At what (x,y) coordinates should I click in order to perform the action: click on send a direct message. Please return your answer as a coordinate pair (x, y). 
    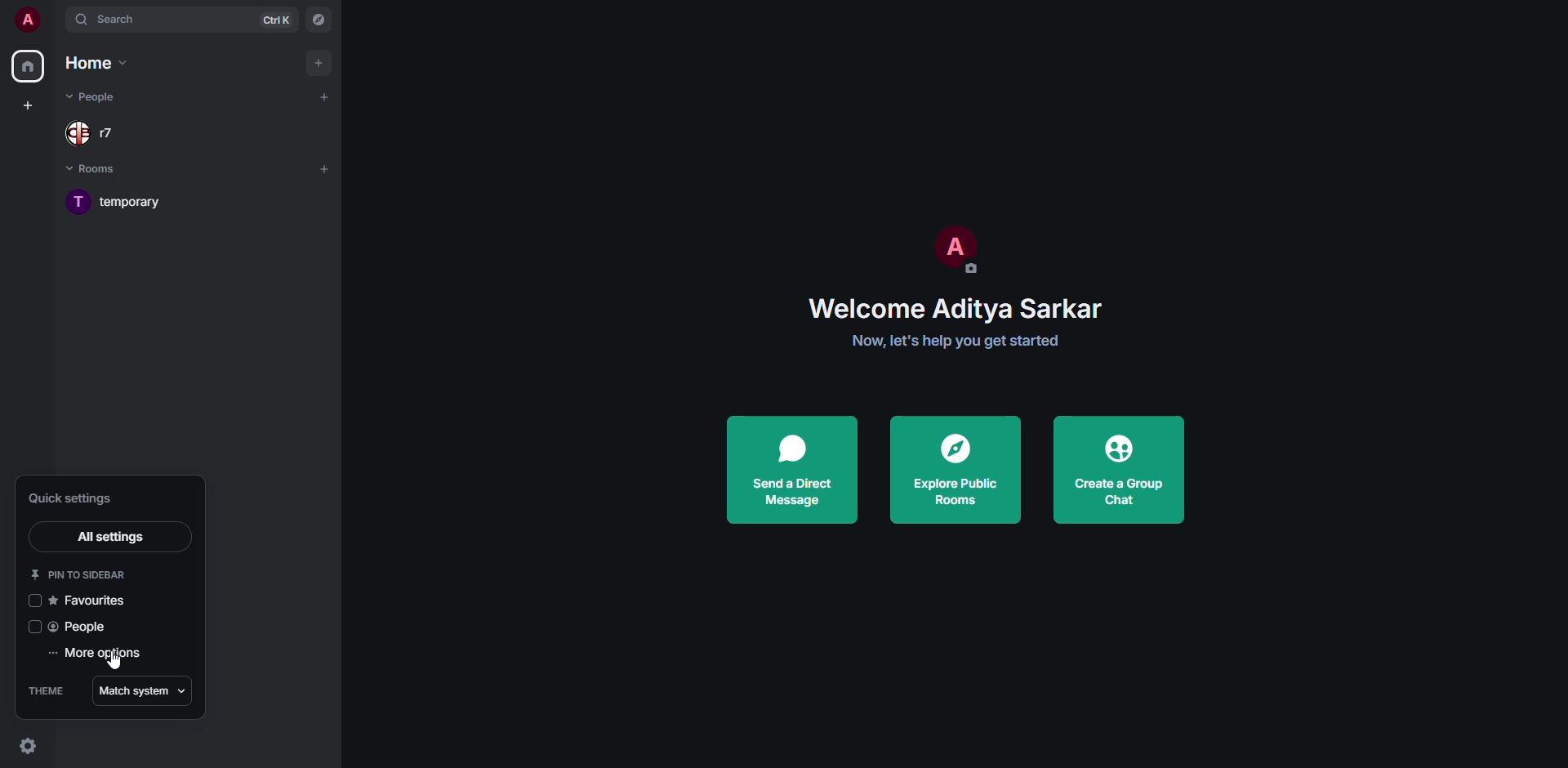
    Looking at the image, I should click on (797, 469).